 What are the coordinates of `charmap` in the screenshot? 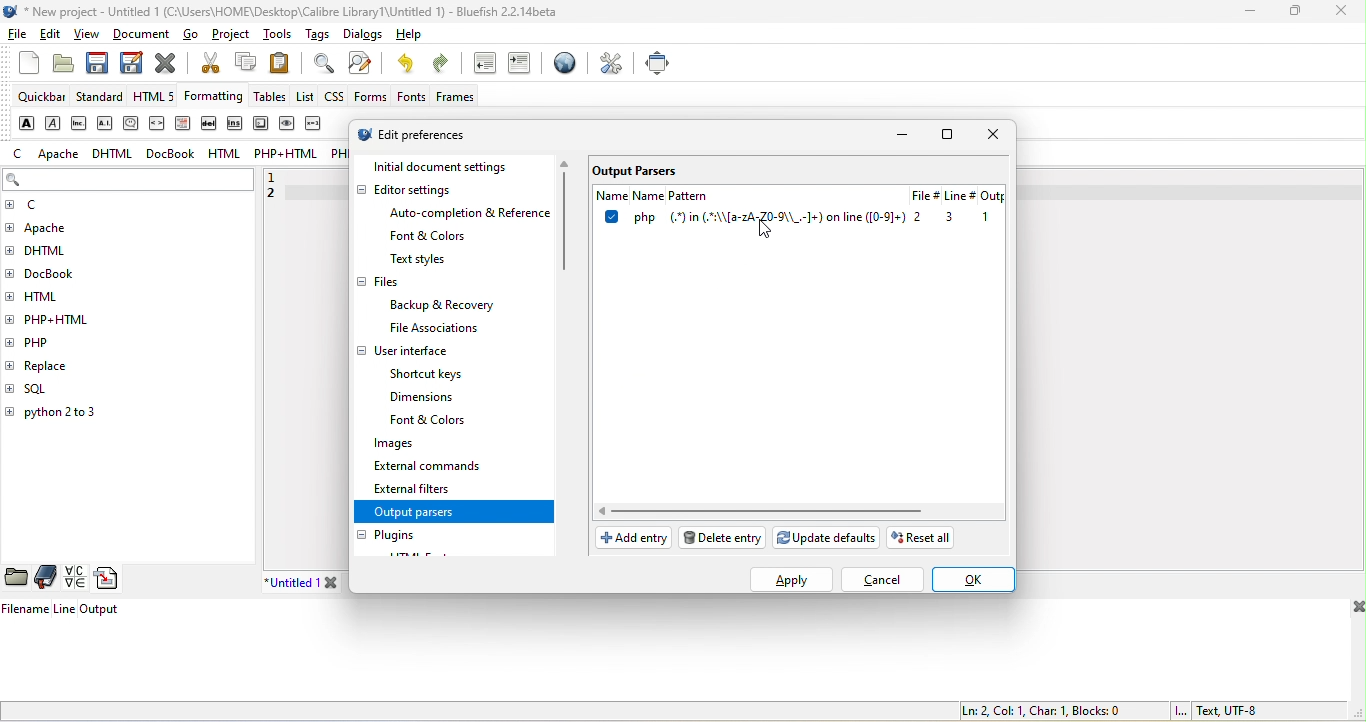 It's located at (74, 578).